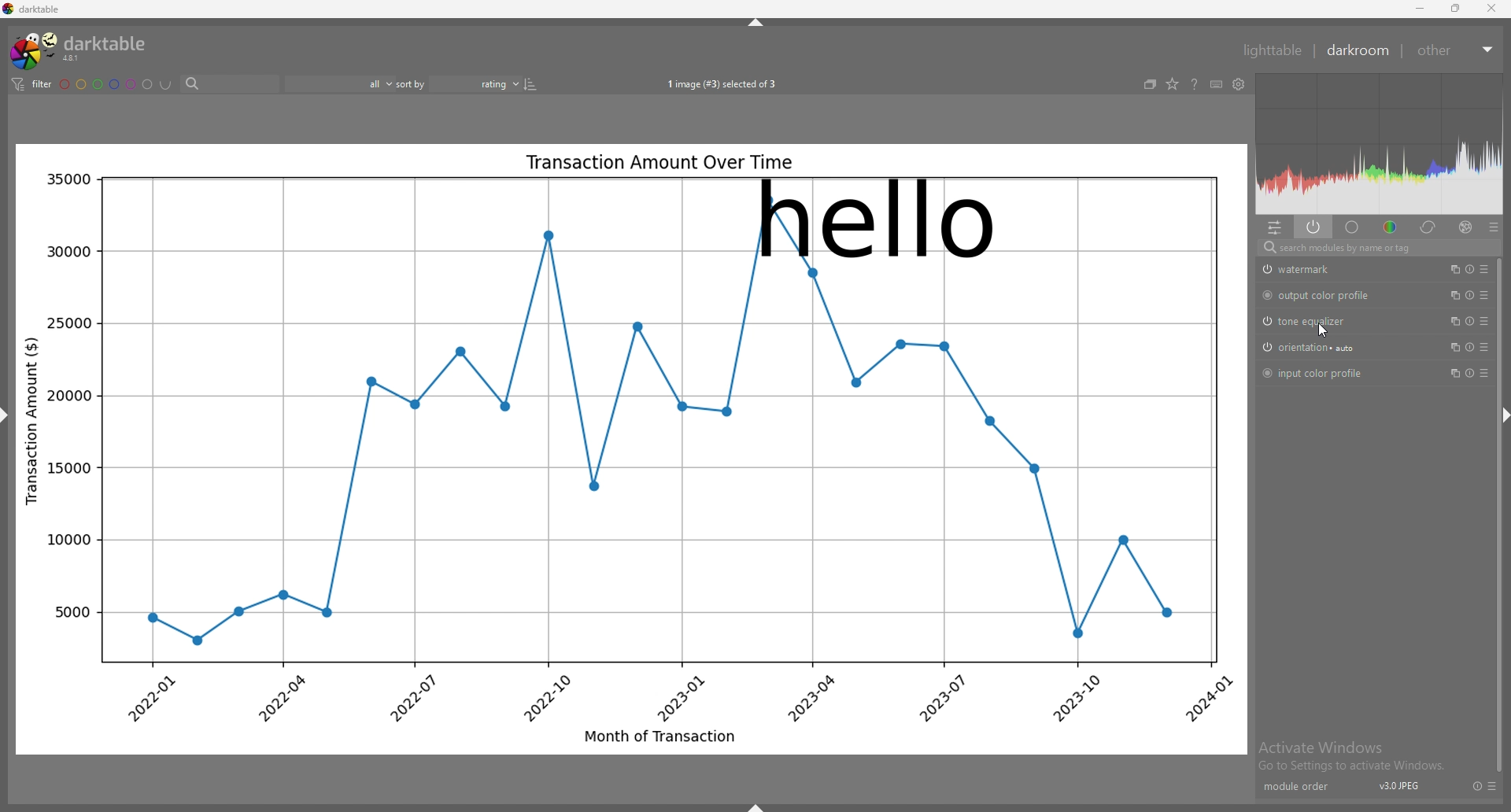 This screenshot has width=1511, height=812. Describe the element at coordinates (1465, 227) in the screenshot. I see `effect` at that location.